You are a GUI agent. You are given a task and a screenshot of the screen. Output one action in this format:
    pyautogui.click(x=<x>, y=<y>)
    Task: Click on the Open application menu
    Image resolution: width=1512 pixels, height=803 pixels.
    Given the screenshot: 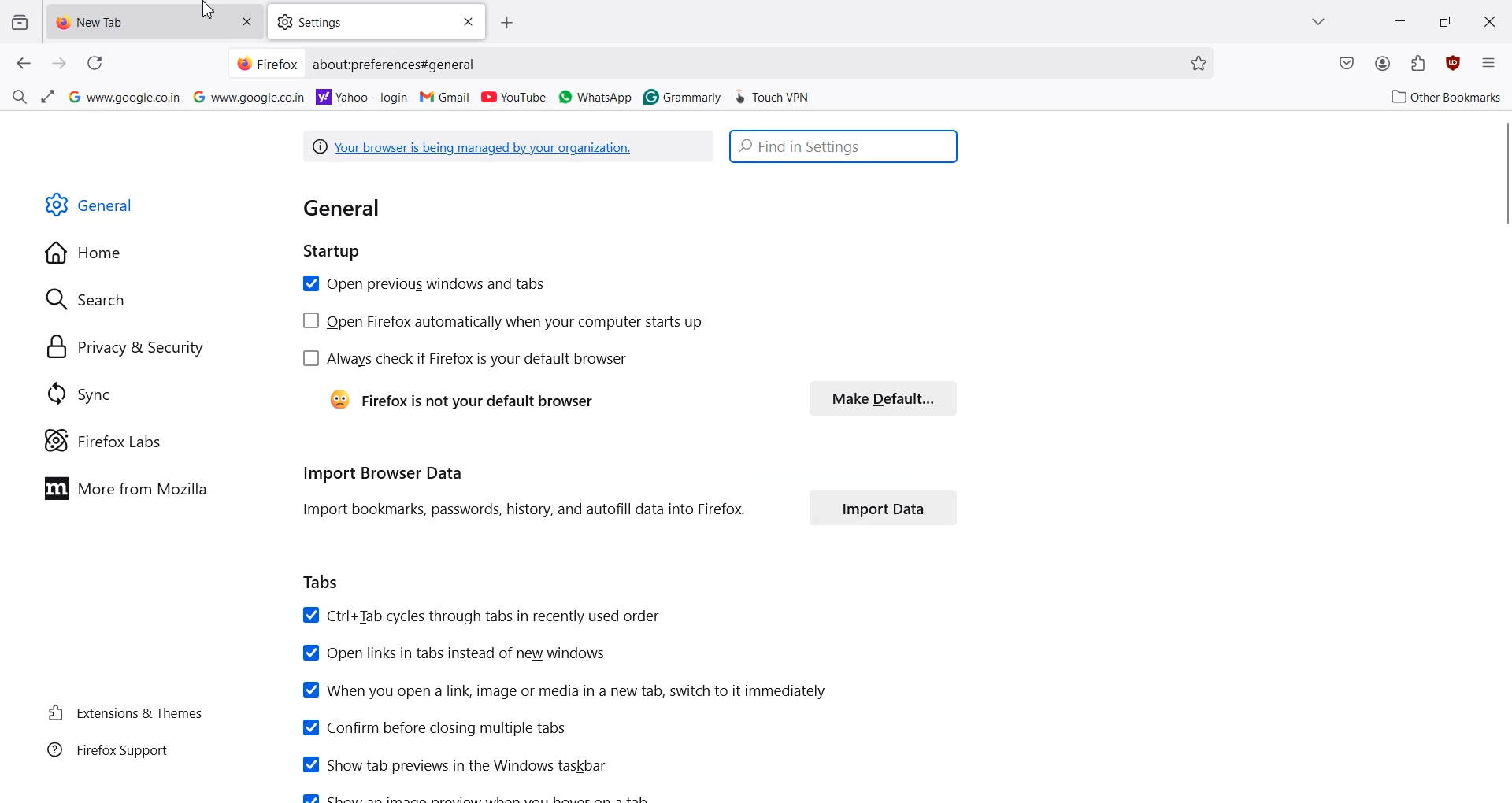 What is the action you would take?
    pyautogui.click(x=1488, y=61)
    